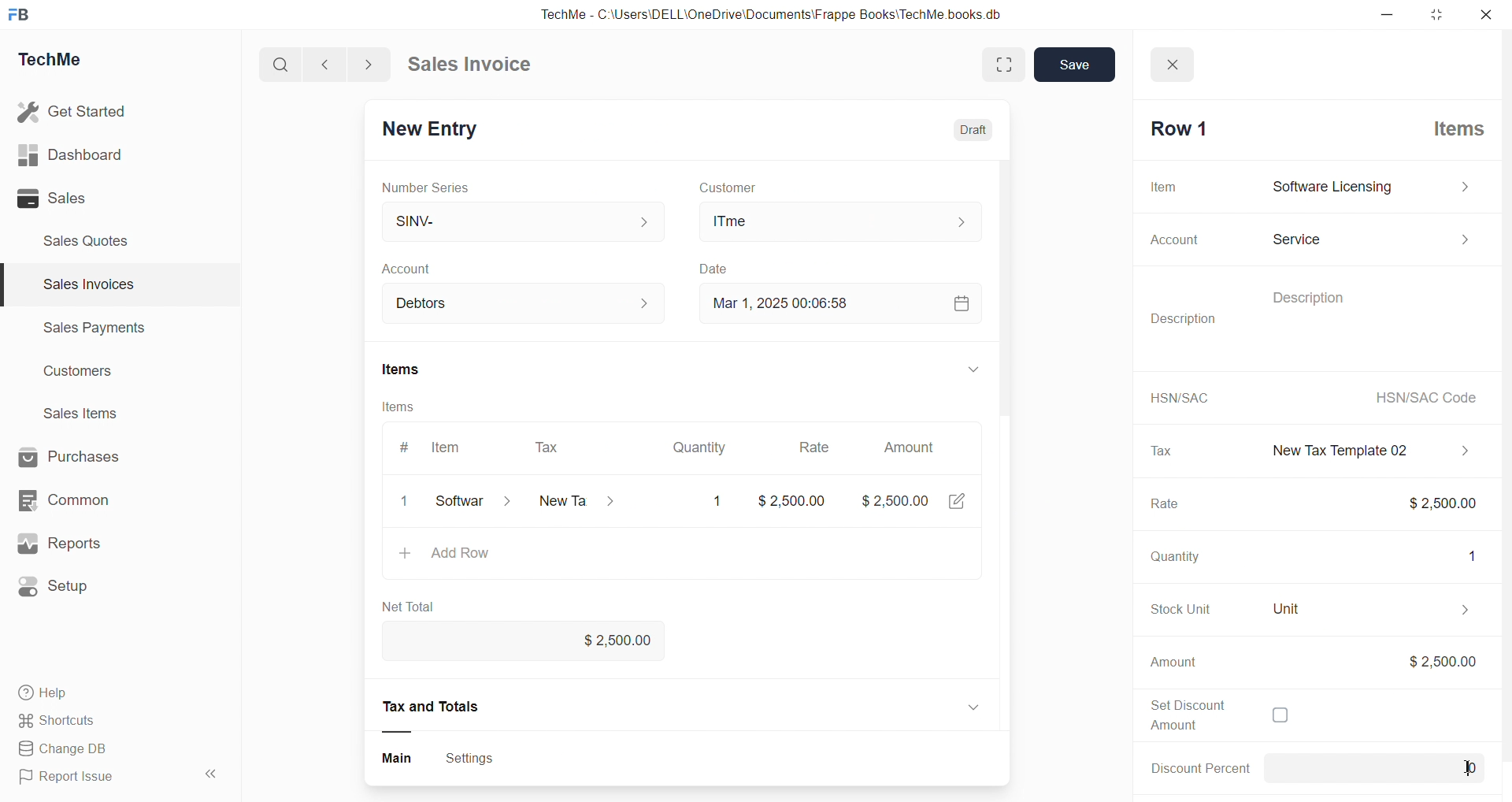  What do you see at coordinates (1369, 236) in the screenshot?
I see `Service >` at bounding box center [1369, 236].